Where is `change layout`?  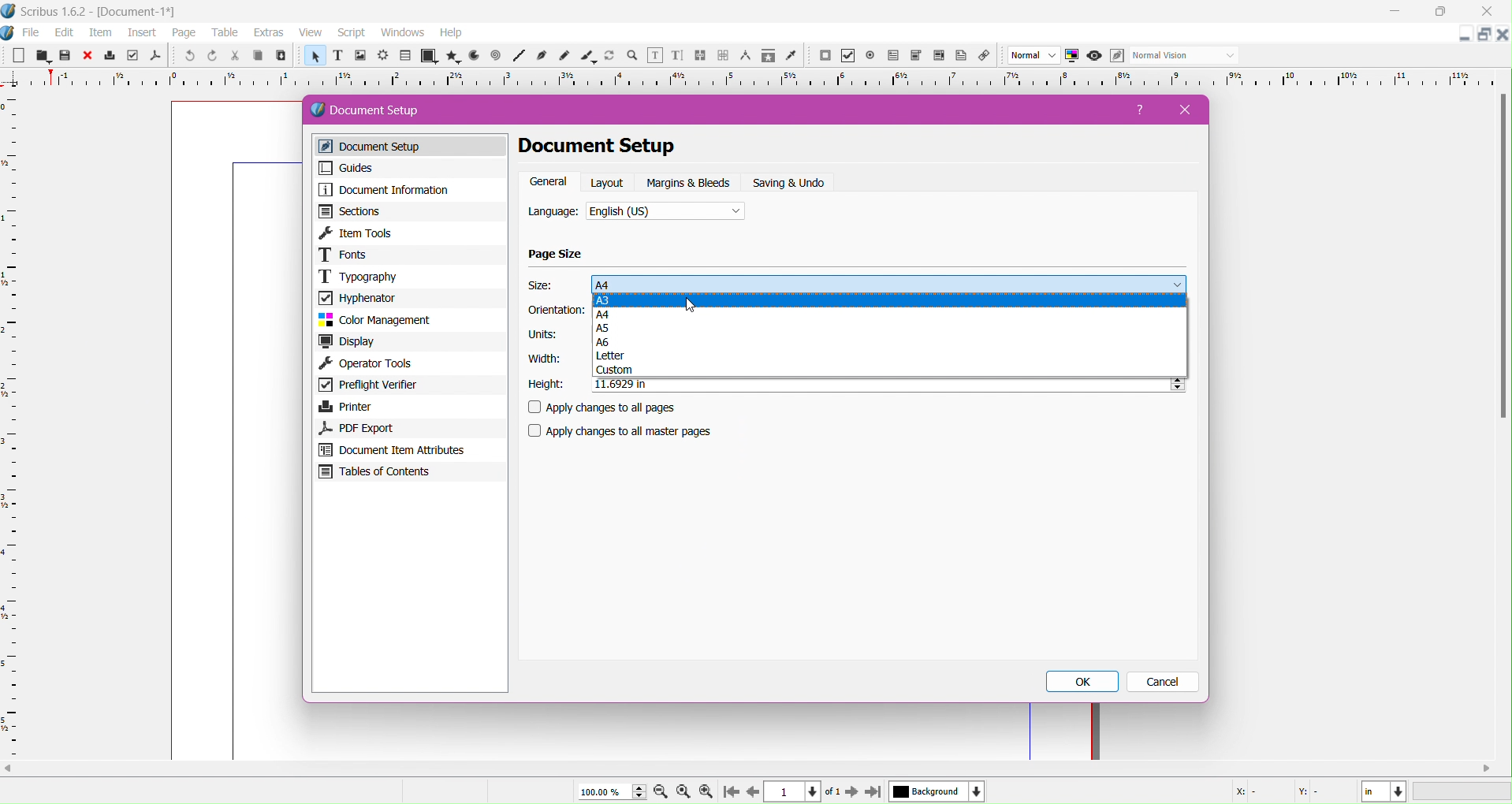
change layout is located at coordinates (1482, 35).